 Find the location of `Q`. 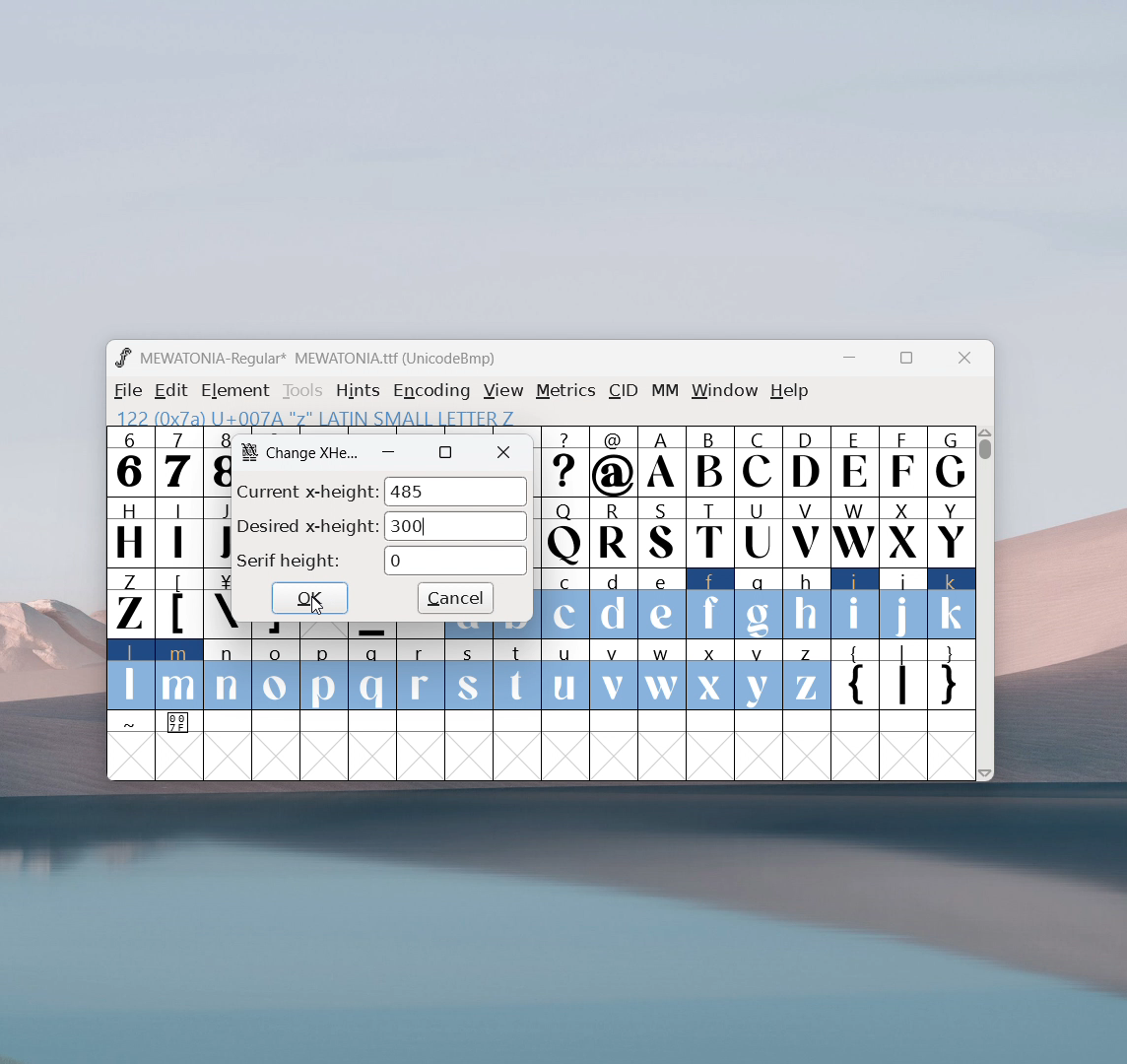

Q is located at coordinates (564, 534).